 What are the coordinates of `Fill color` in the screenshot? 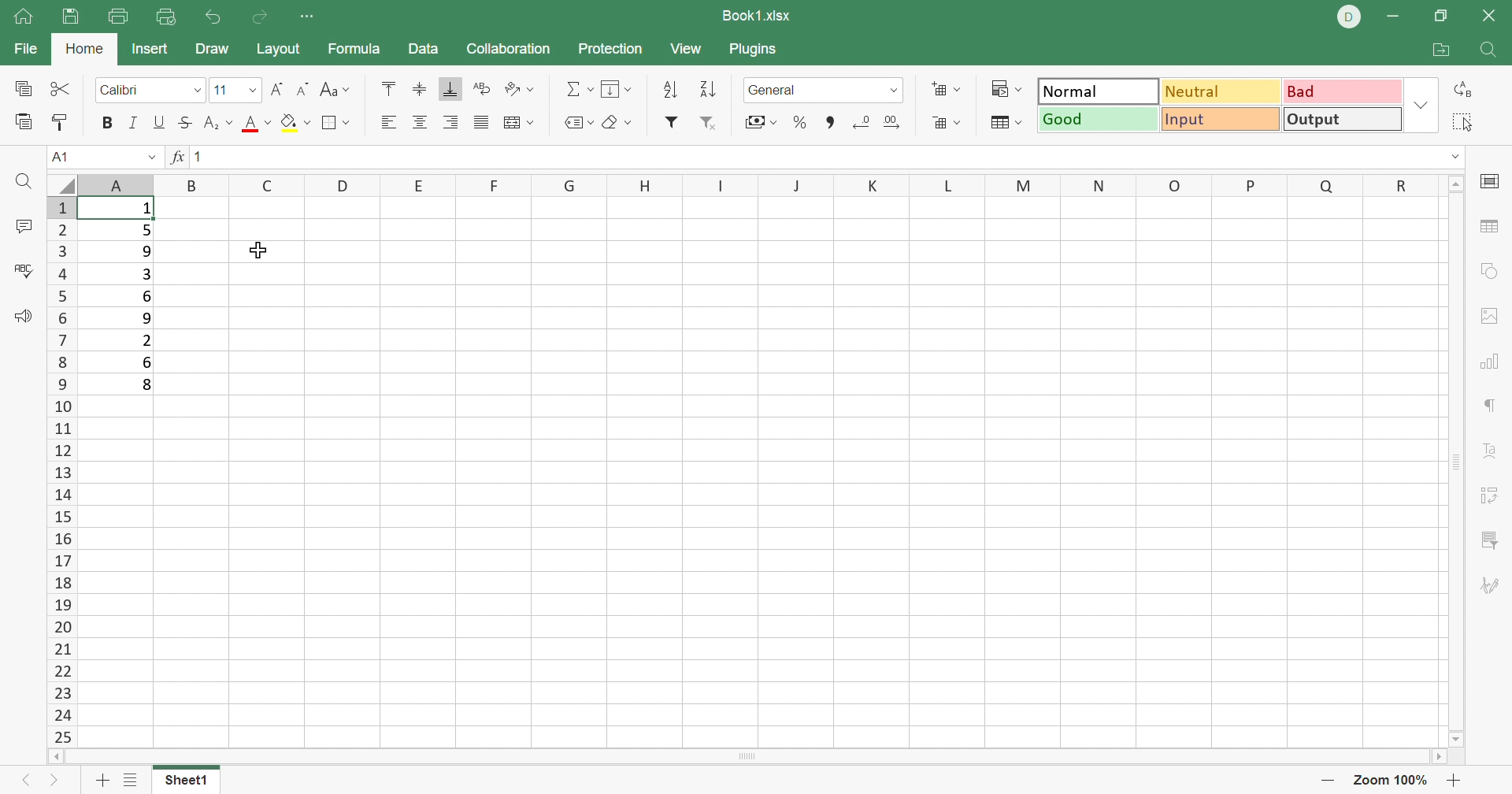 It's located at (295, 122).